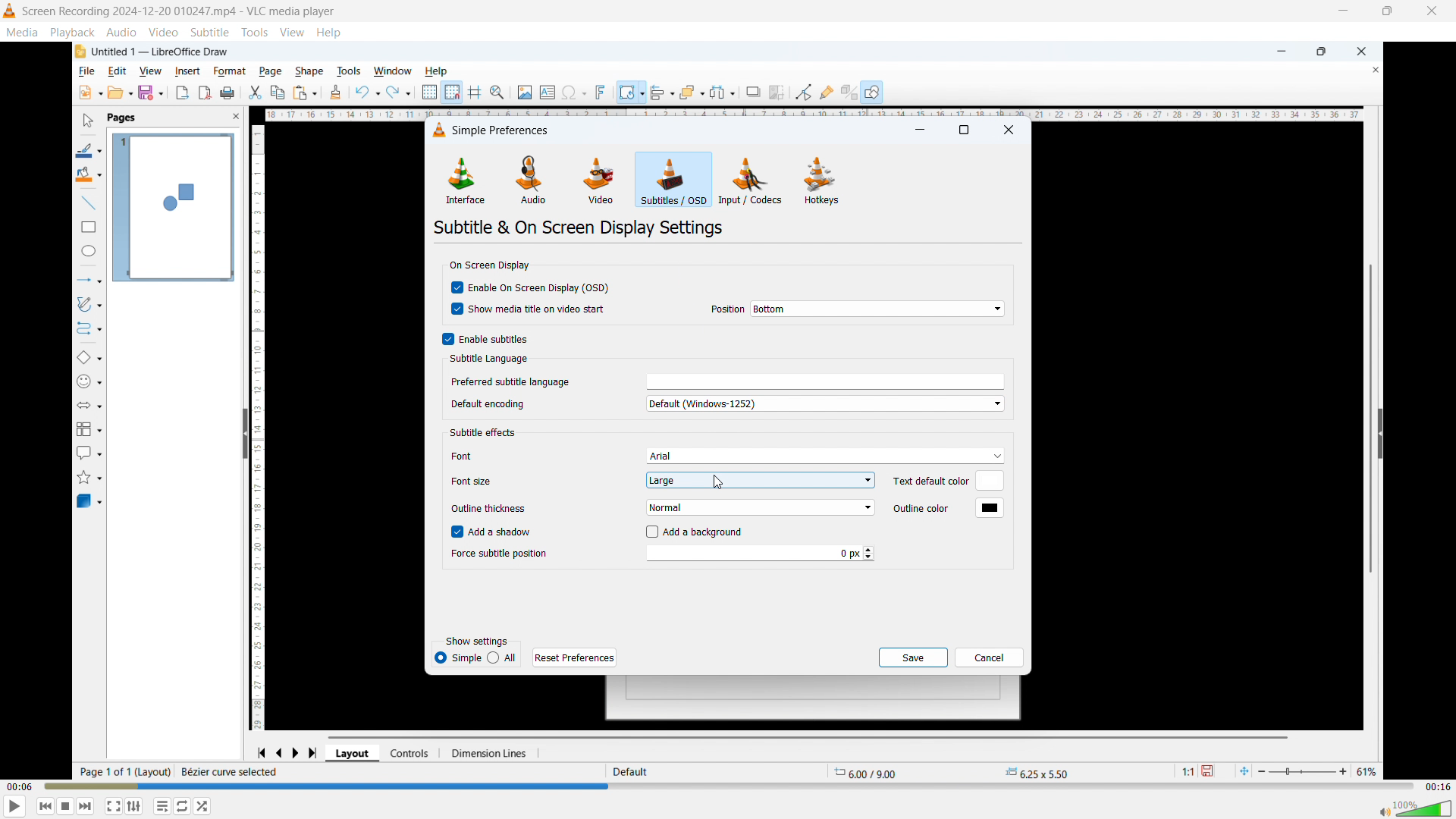  I want to click on Force subtitle position, so click(500, 554).